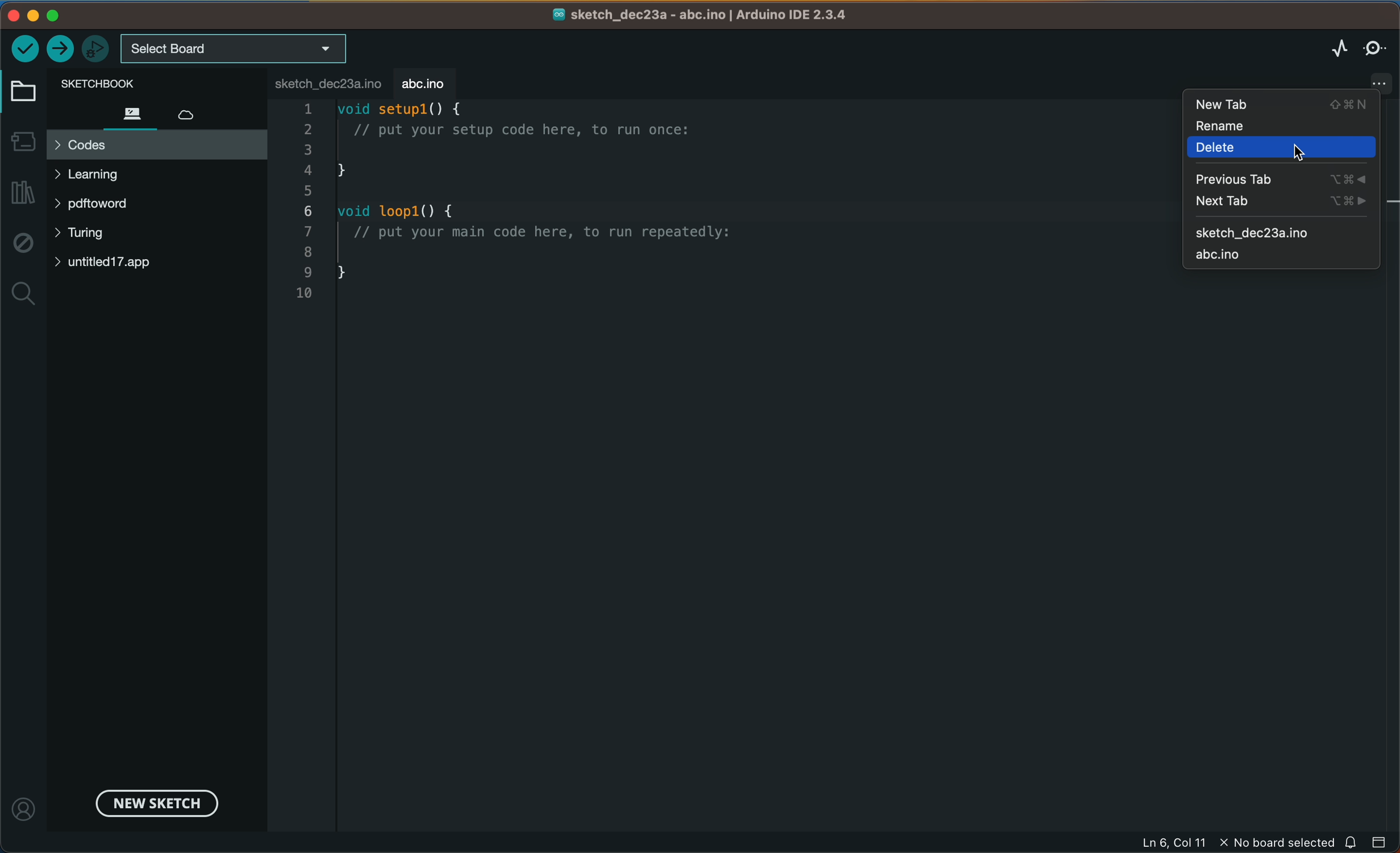  I want to click on sketch, so click(1284, 229).